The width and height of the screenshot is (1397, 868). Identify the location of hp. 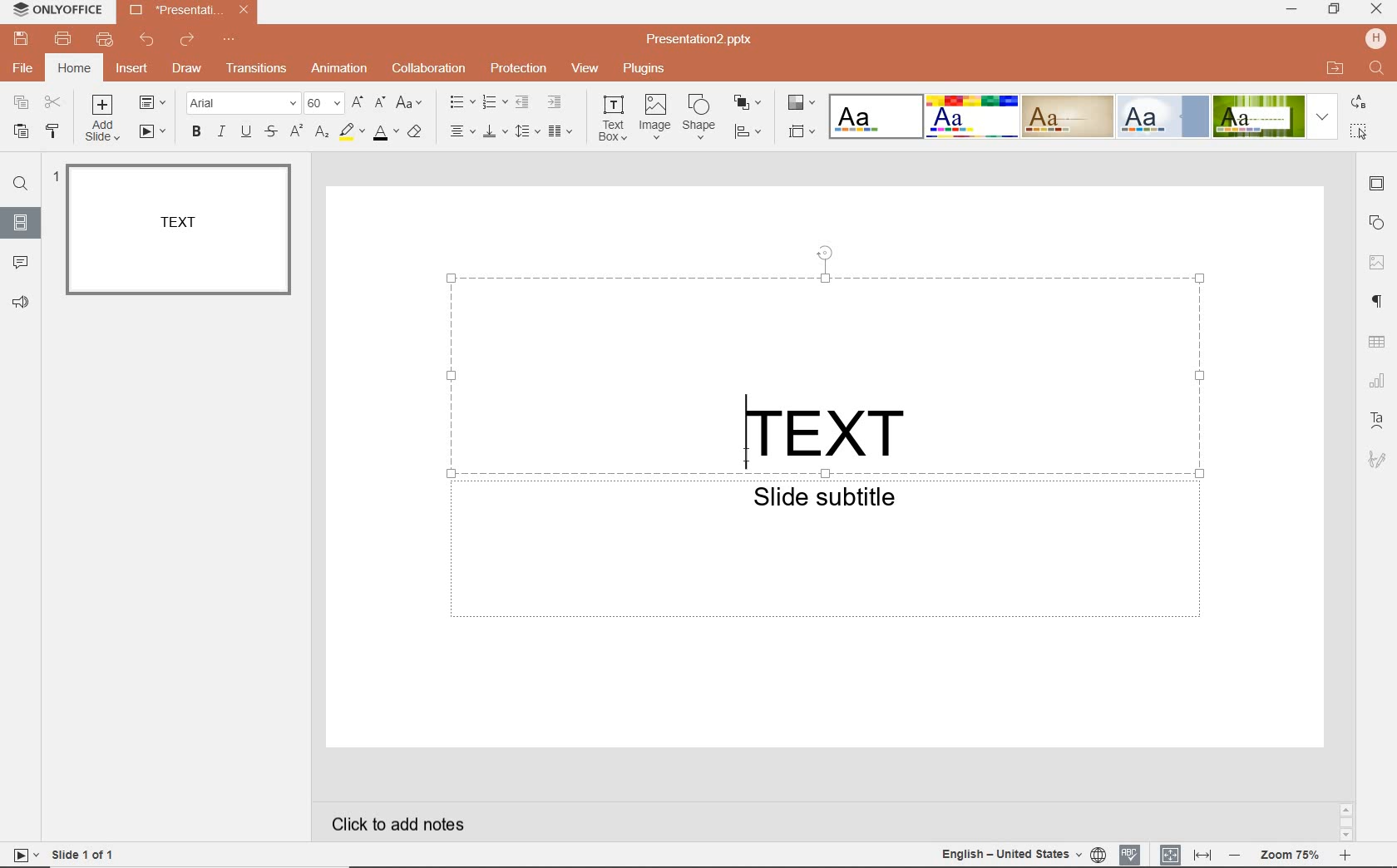
(1375, 37).